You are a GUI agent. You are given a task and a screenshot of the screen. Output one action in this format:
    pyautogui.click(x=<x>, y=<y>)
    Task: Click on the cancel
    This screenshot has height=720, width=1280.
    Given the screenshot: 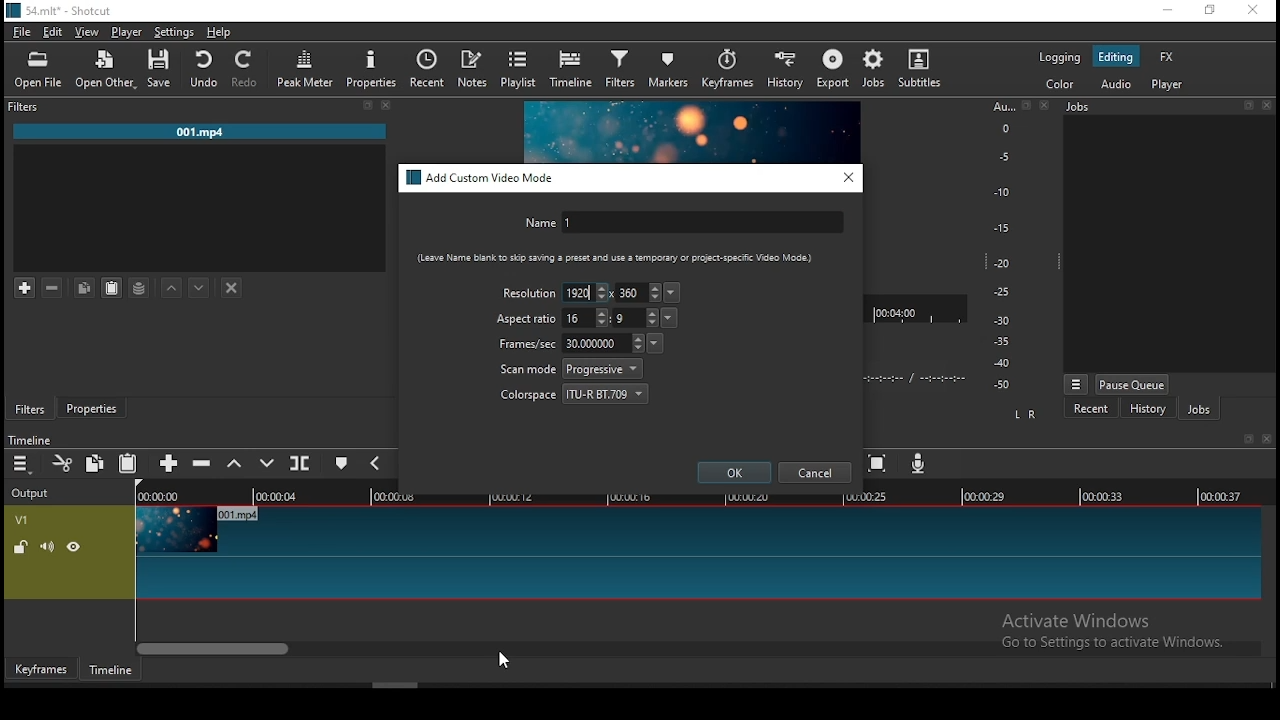 What is the action you would take?
    pyautogui.click(x=815, y=473)
    